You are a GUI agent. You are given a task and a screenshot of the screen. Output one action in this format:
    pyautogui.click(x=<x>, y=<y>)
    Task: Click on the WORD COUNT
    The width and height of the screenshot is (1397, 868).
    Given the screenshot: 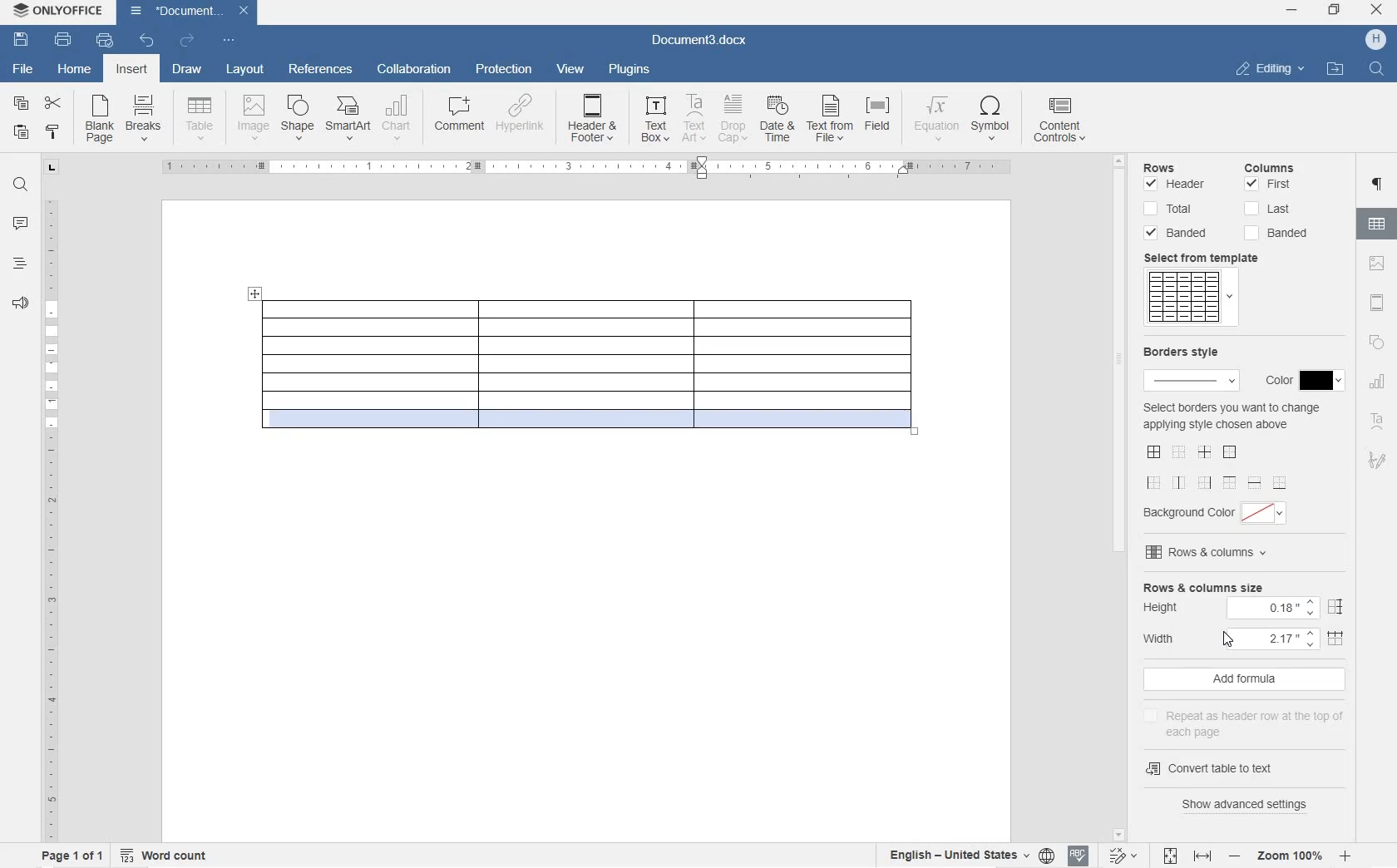 What is the action you would take?
    pyautogui.click(x=164, y=853)
    